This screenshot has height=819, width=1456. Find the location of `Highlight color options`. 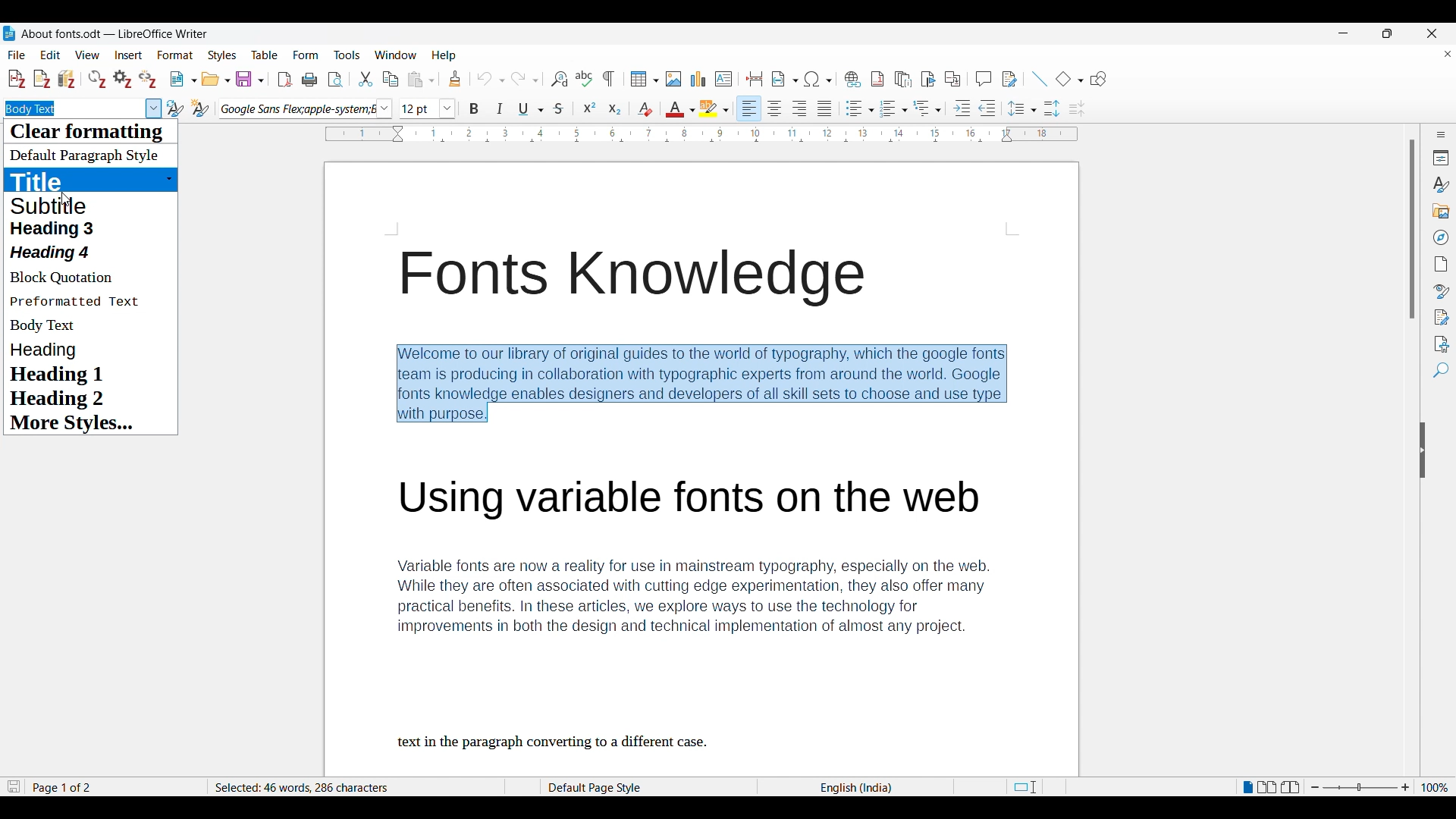

Highlight color options is located at coordinates (714, 108).